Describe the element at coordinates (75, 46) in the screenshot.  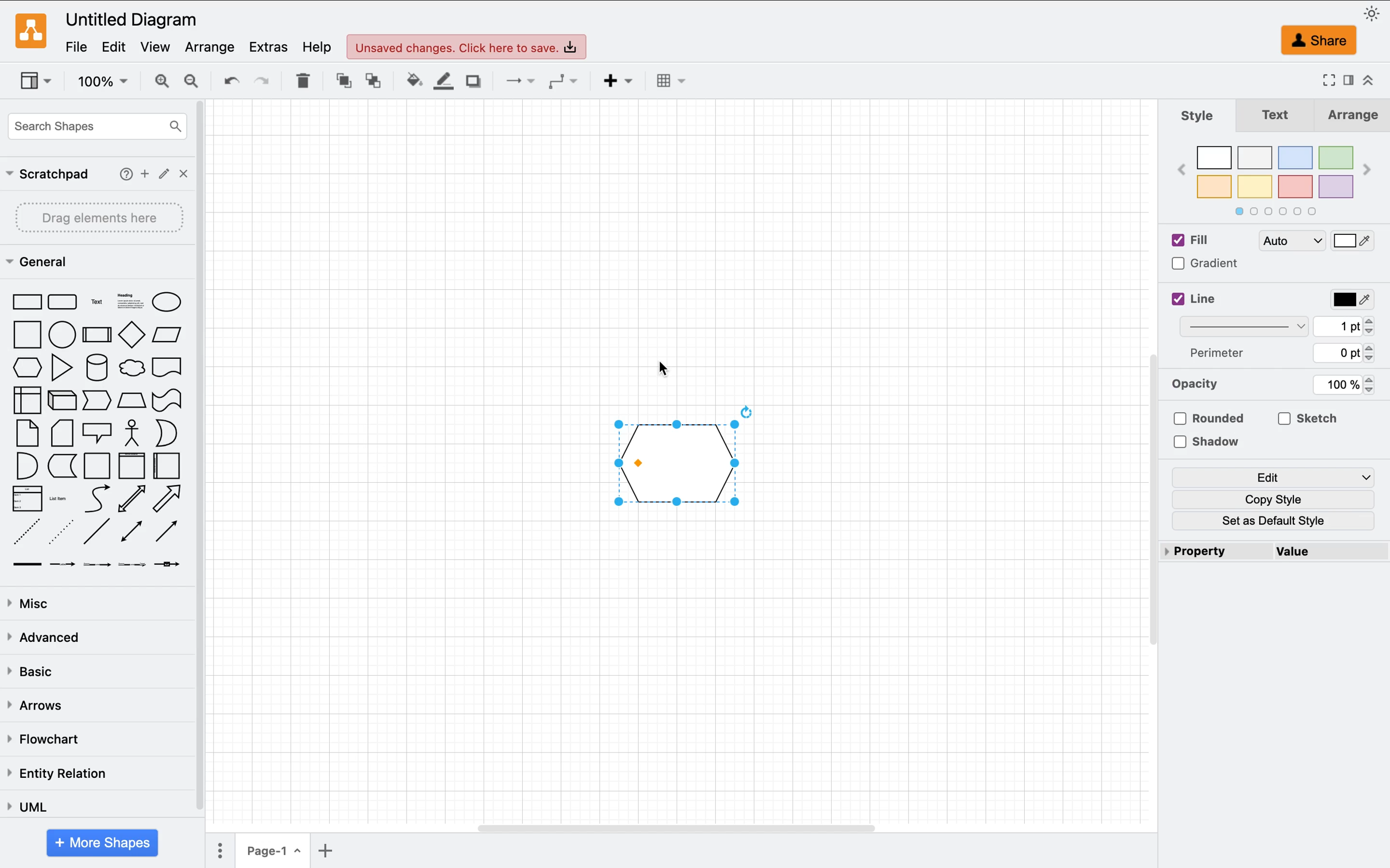
I see `file` at that location.